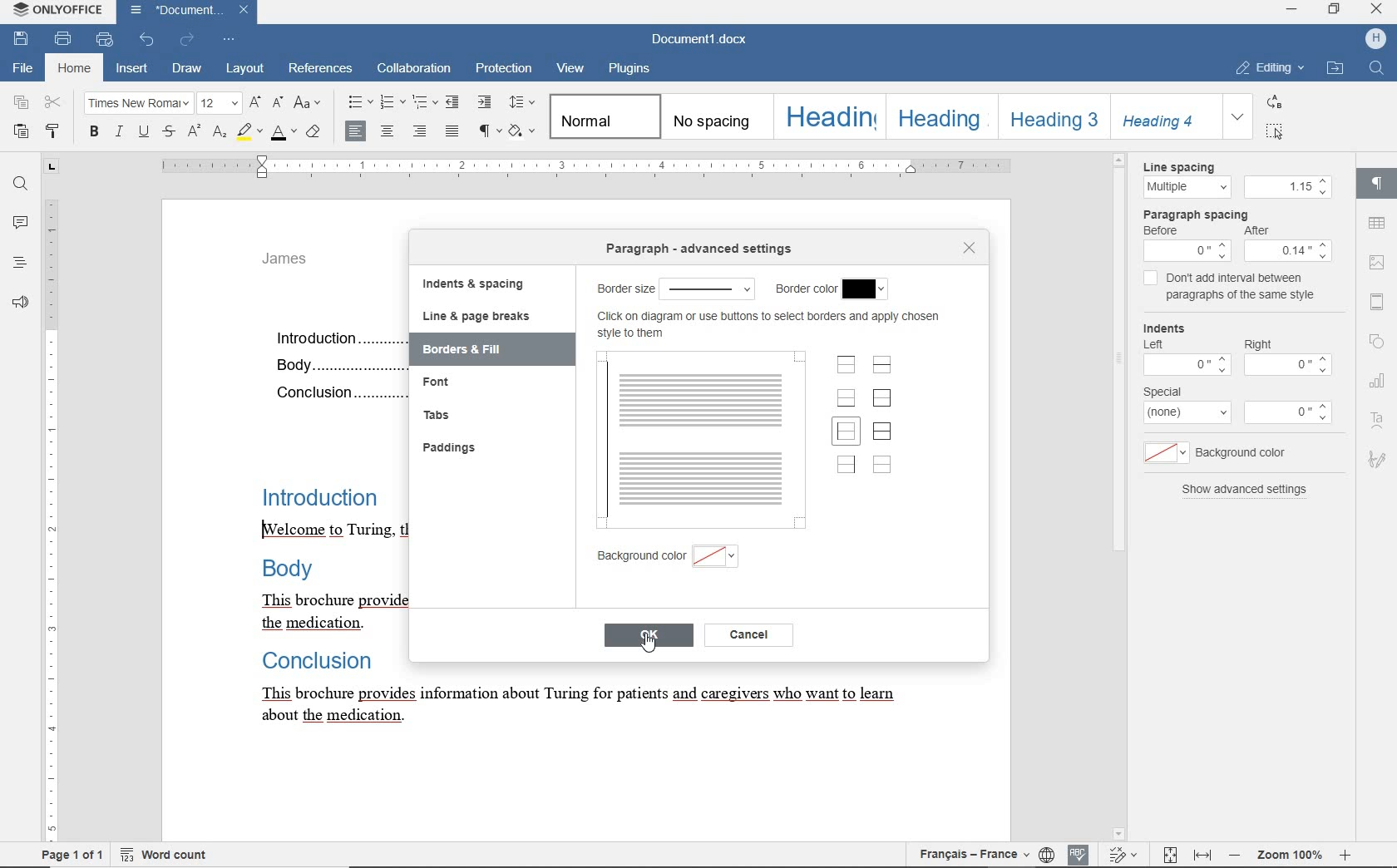 This screenshot has height=868, width=1397. I want to click on Paragraph spacing, so click(1204, 214).